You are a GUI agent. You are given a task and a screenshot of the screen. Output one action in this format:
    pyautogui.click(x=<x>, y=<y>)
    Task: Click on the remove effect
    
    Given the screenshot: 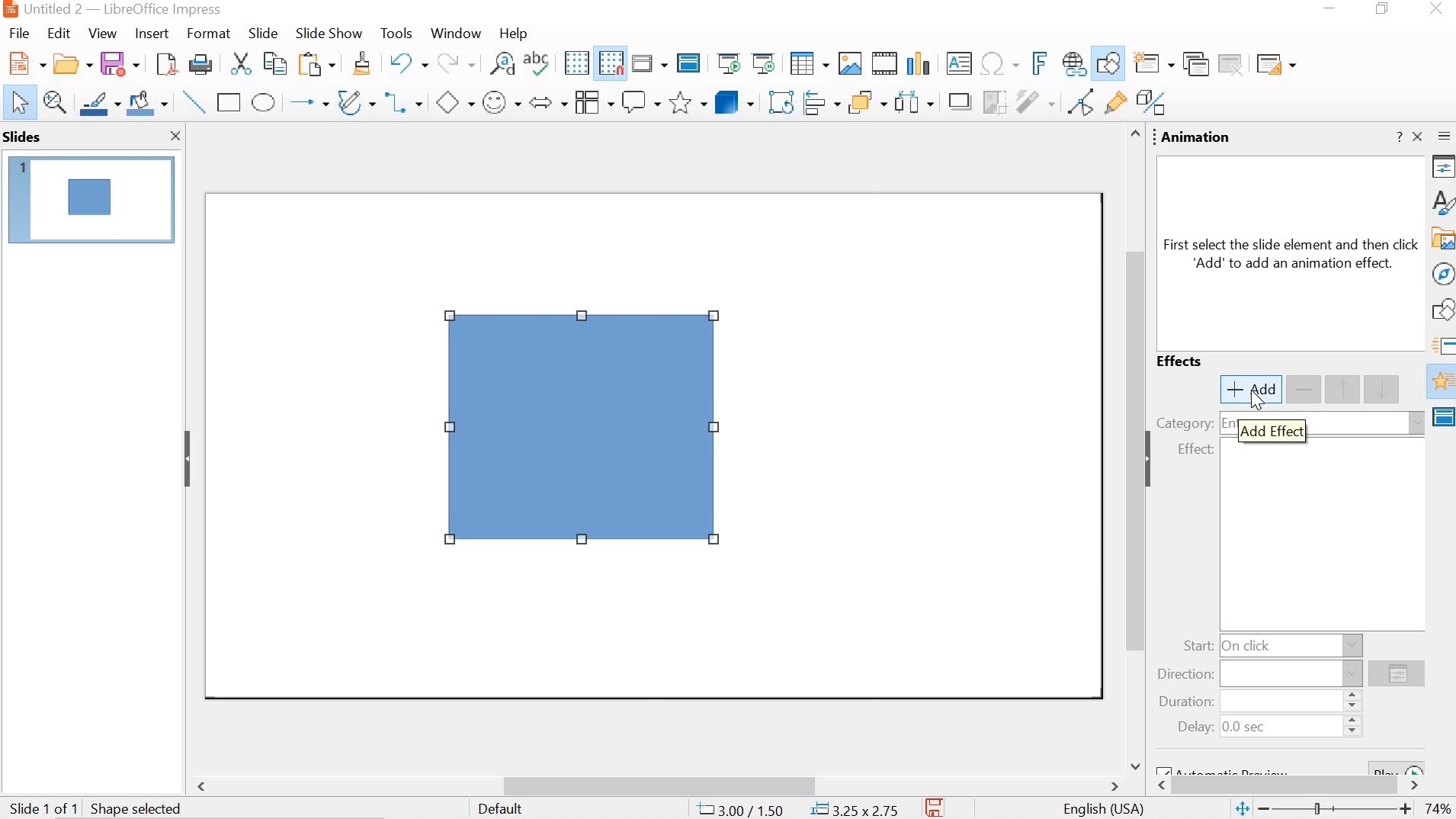 What is the action you would take?
    pyautogui.click(x=1305, y=389)
    